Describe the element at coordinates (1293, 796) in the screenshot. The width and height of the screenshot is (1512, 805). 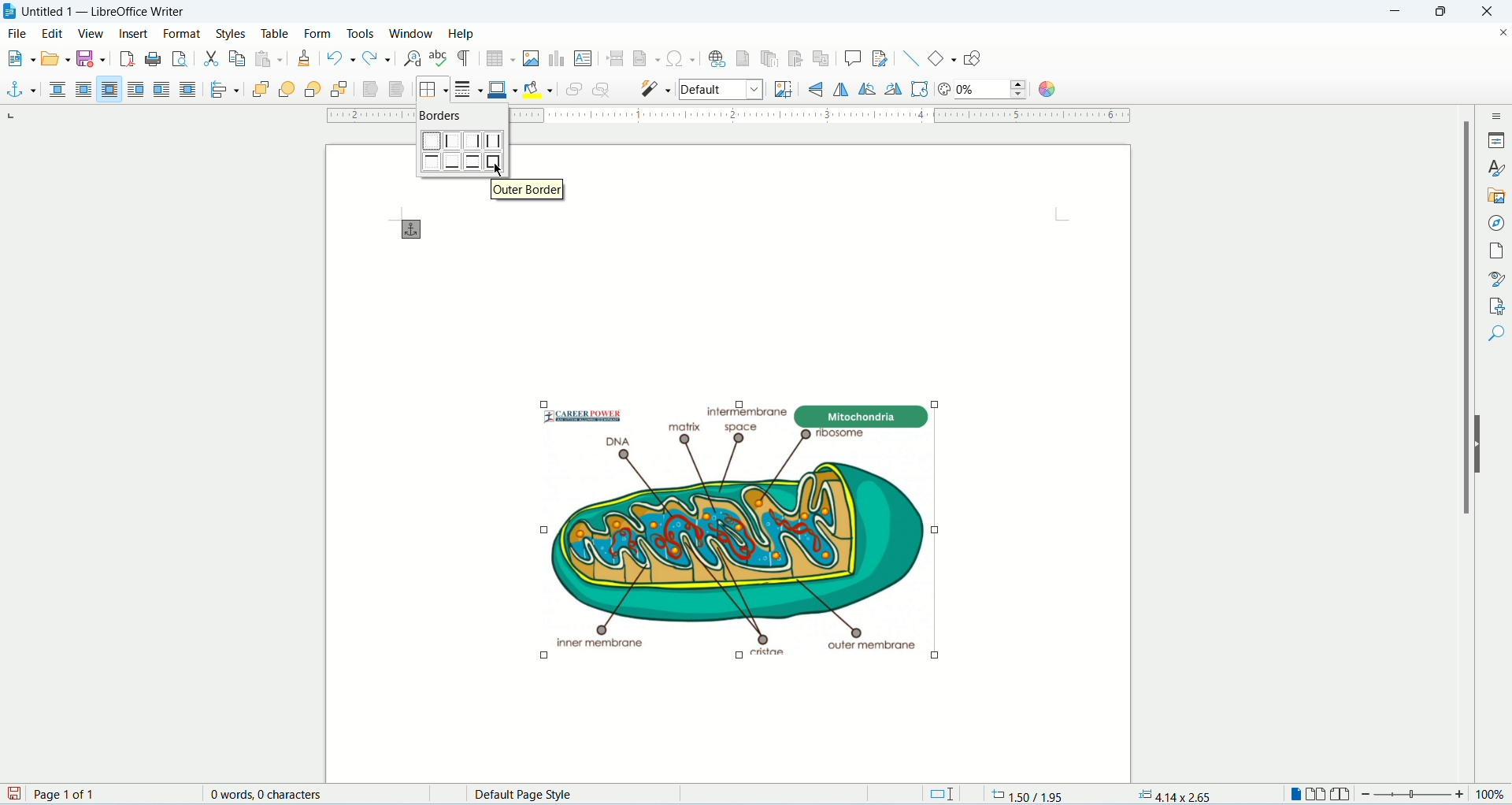
I see `single page view` at that location.